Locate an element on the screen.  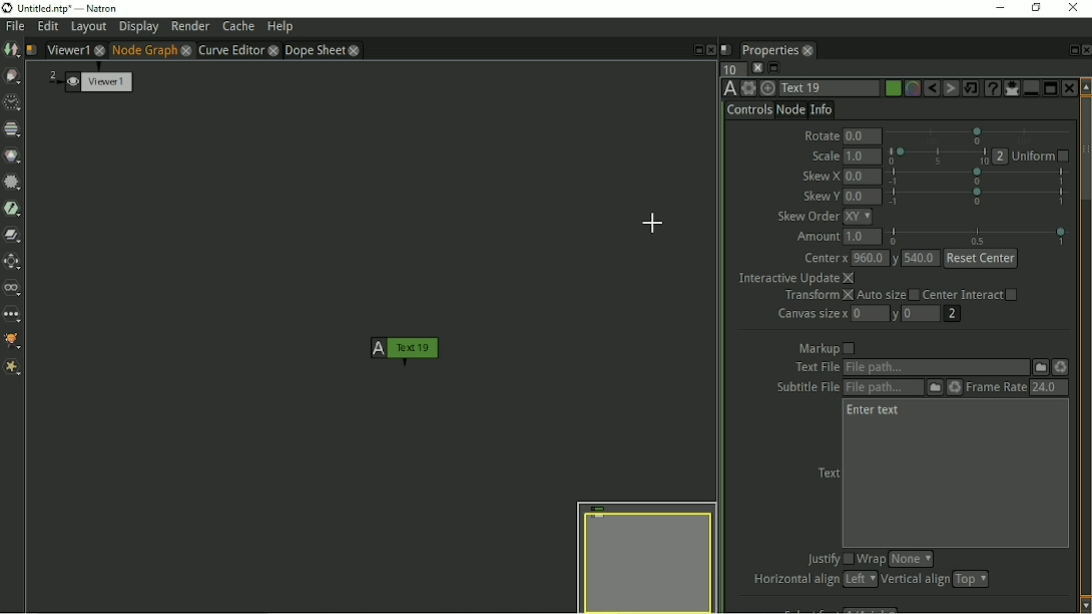
close is located at coordinates (187, 51).